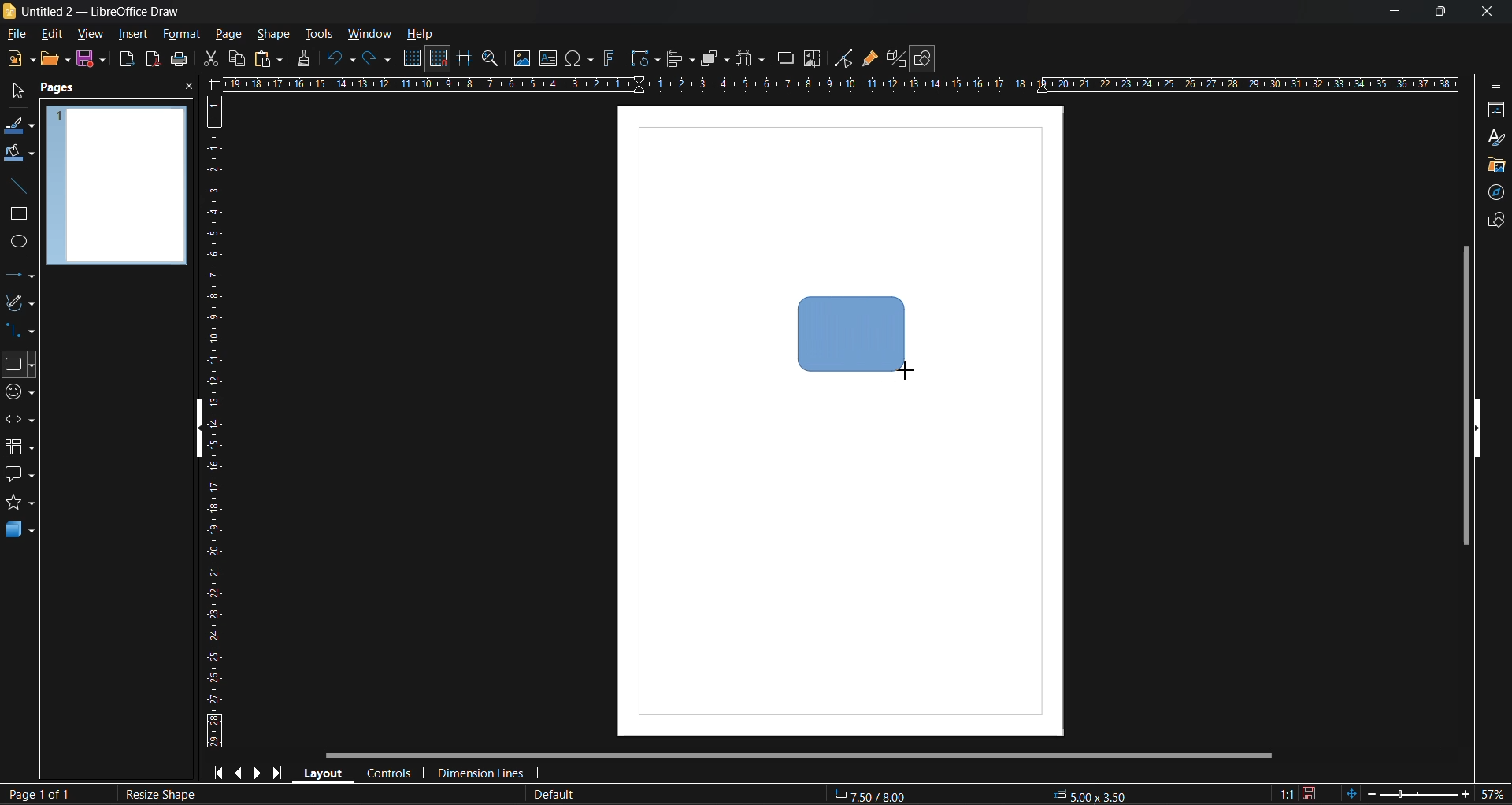 This screenshot has height=805, width=1512. What do you see at coordinates (24, 278) in the screenshot?
I see `lines and arrows` at bounding box center [24, 278].